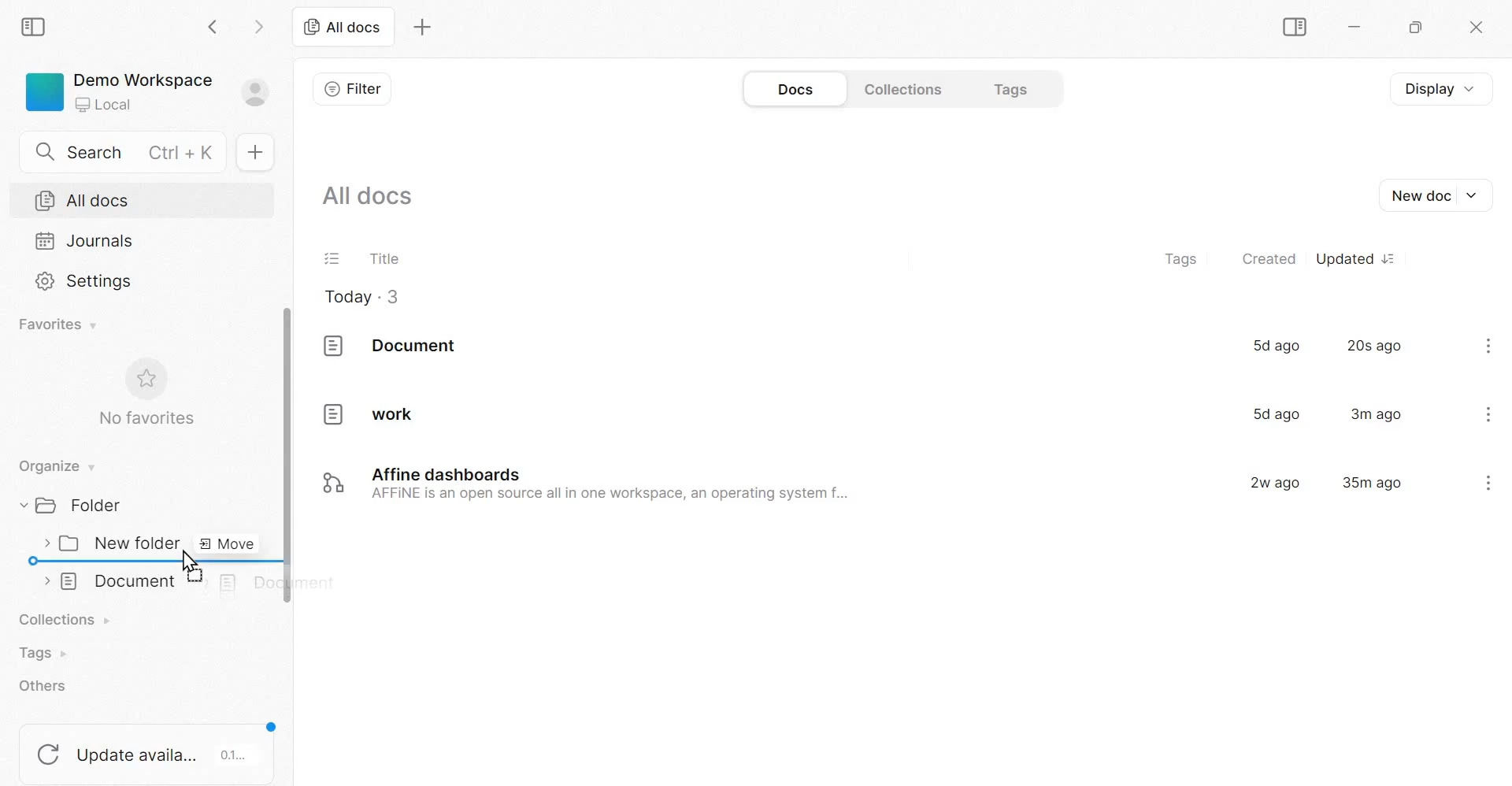 This screenshot has width=1512, height=786. Describe the element at coordinates (261, 25) in the screenshot. I see `go forward` at that location.